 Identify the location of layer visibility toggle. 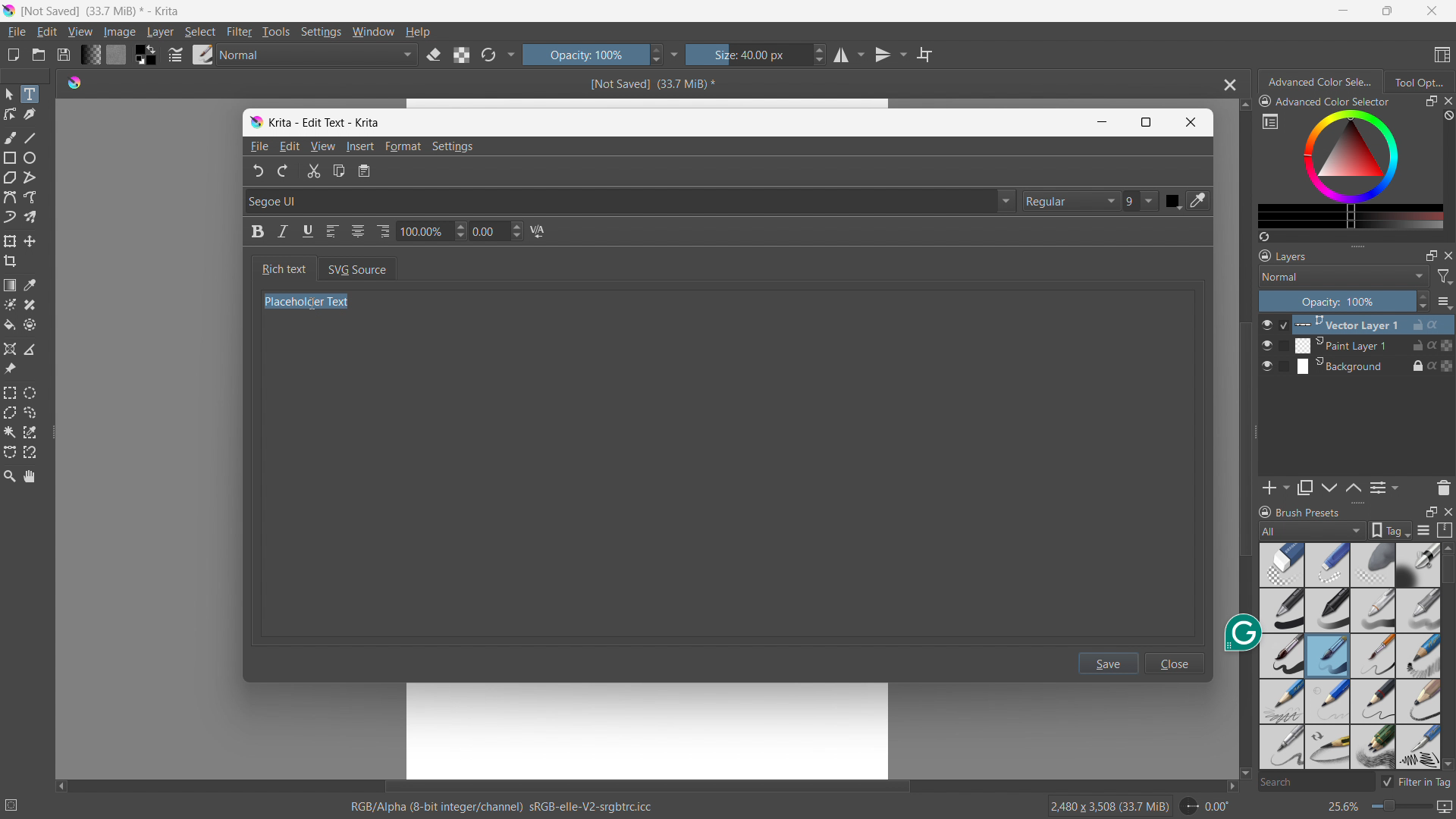
(1267, 345).